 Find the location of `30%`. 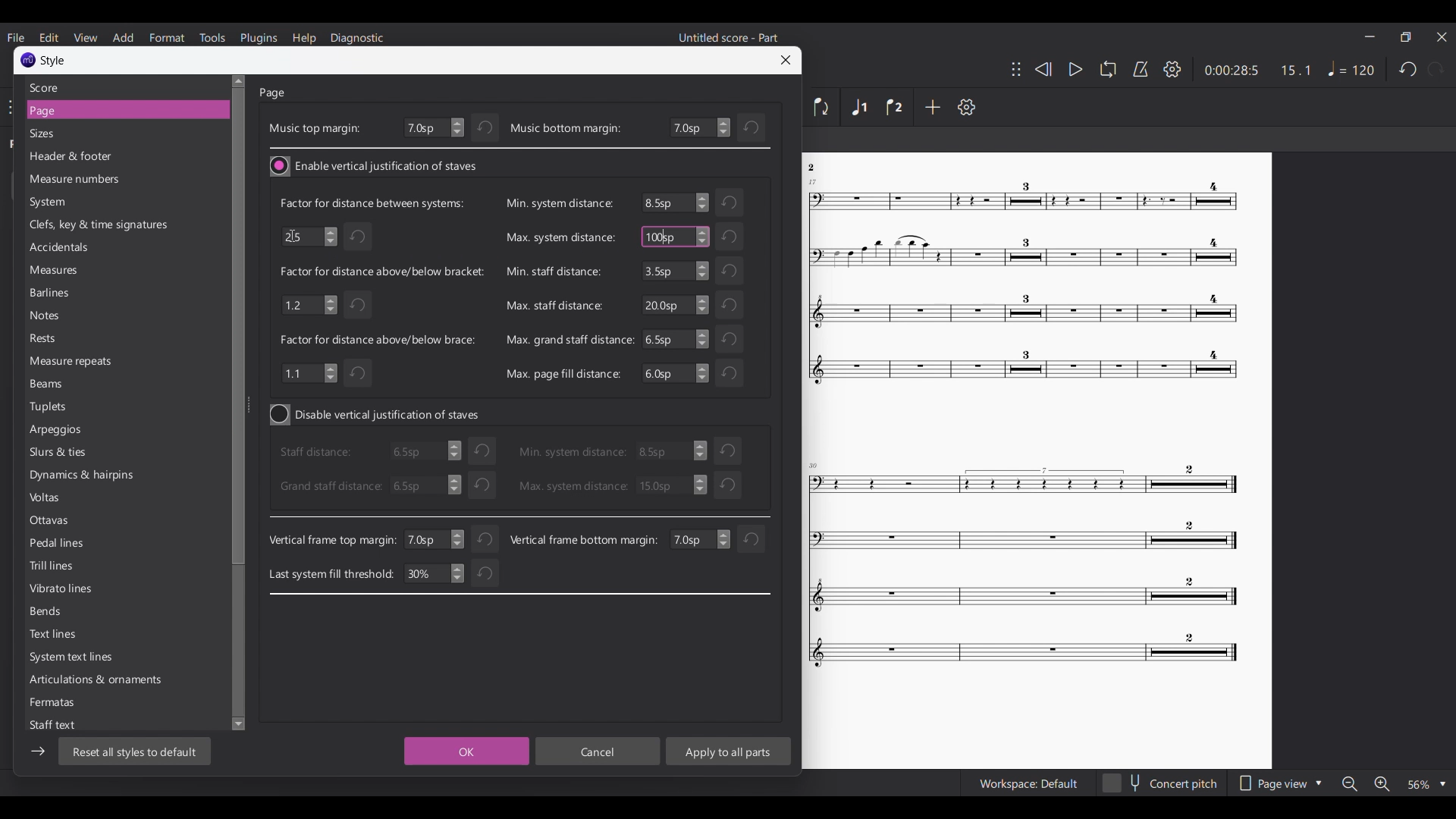

30% is located at coordinates (433, 575).